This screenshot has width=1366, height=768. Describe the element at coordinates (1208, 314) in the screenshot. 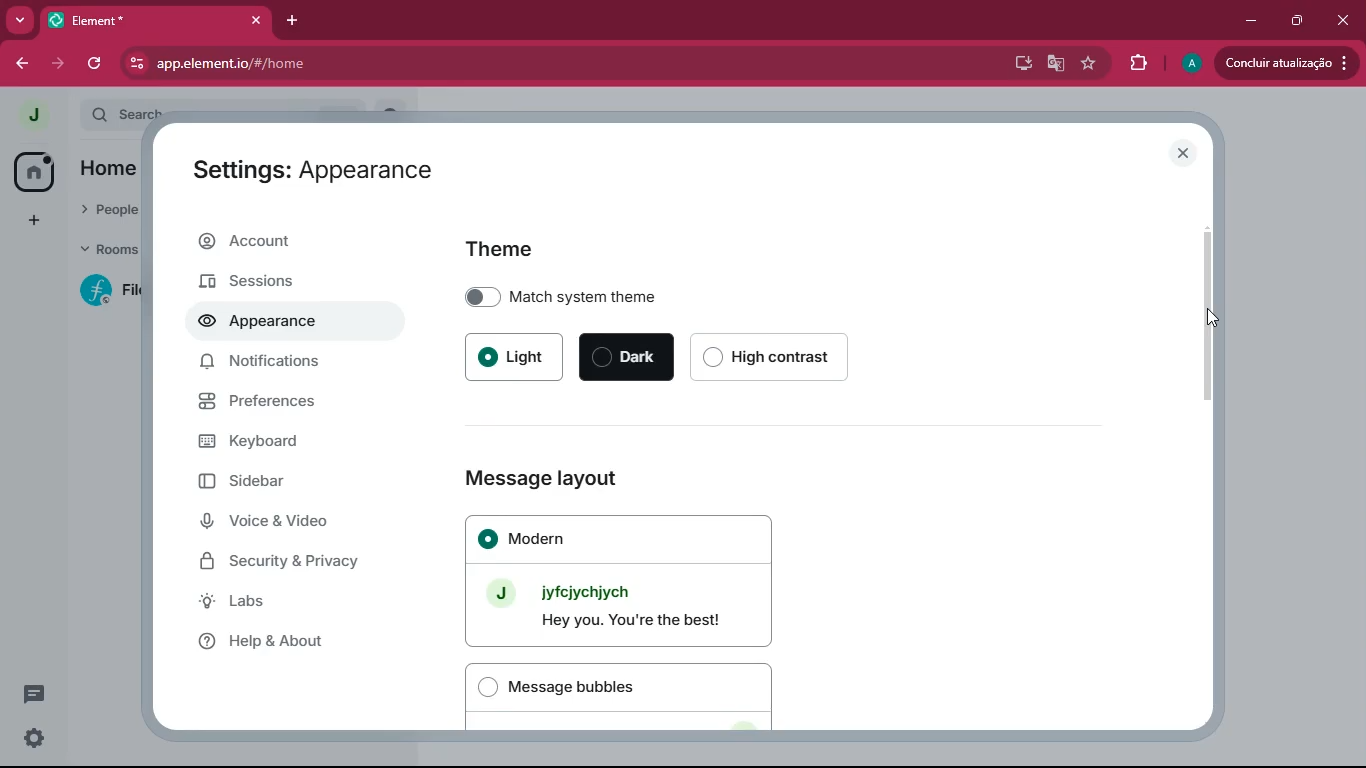

I see `scroll ` at that location.